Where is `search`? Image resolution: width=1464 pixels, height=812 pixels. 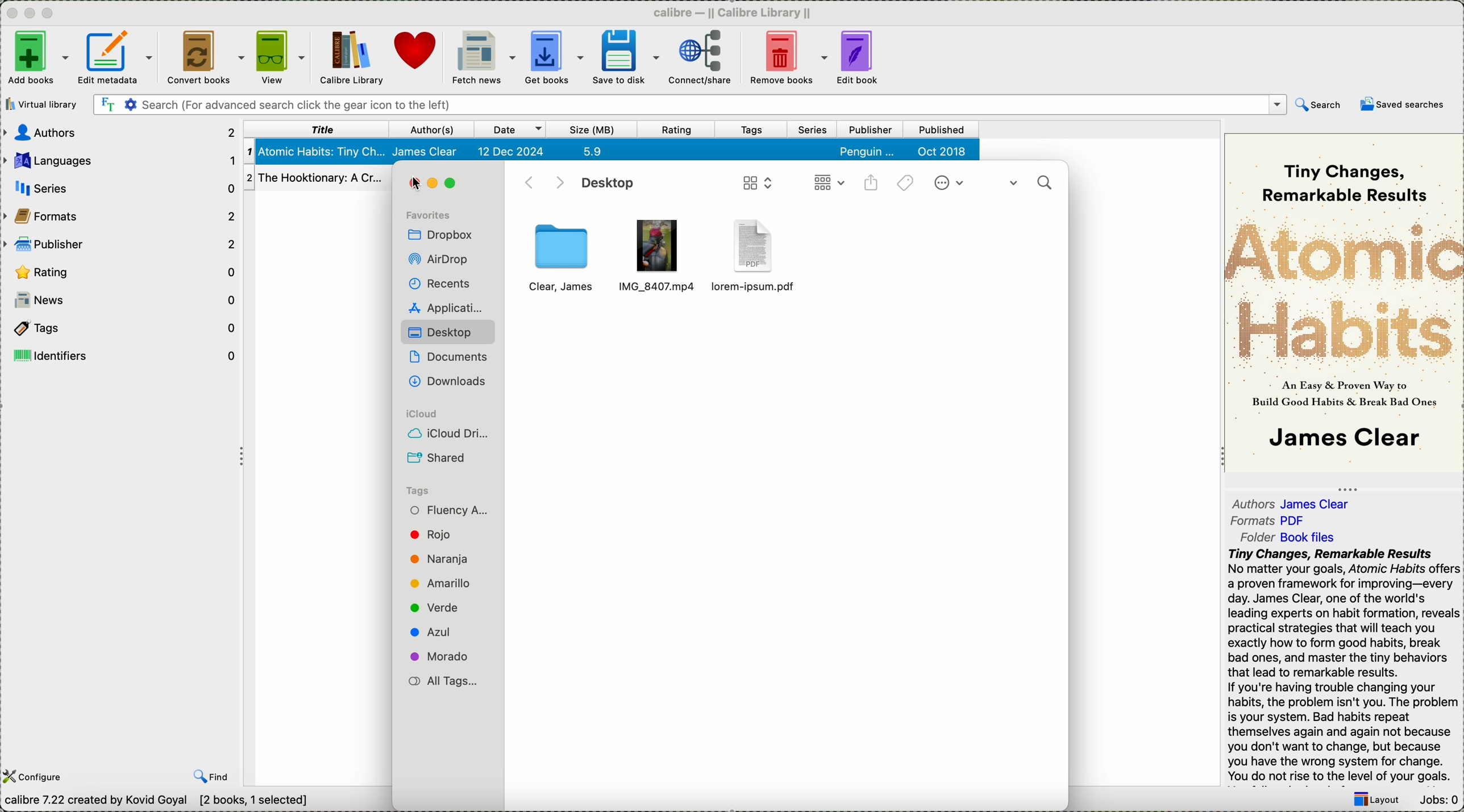
search is located at coordinates (1317, 104).